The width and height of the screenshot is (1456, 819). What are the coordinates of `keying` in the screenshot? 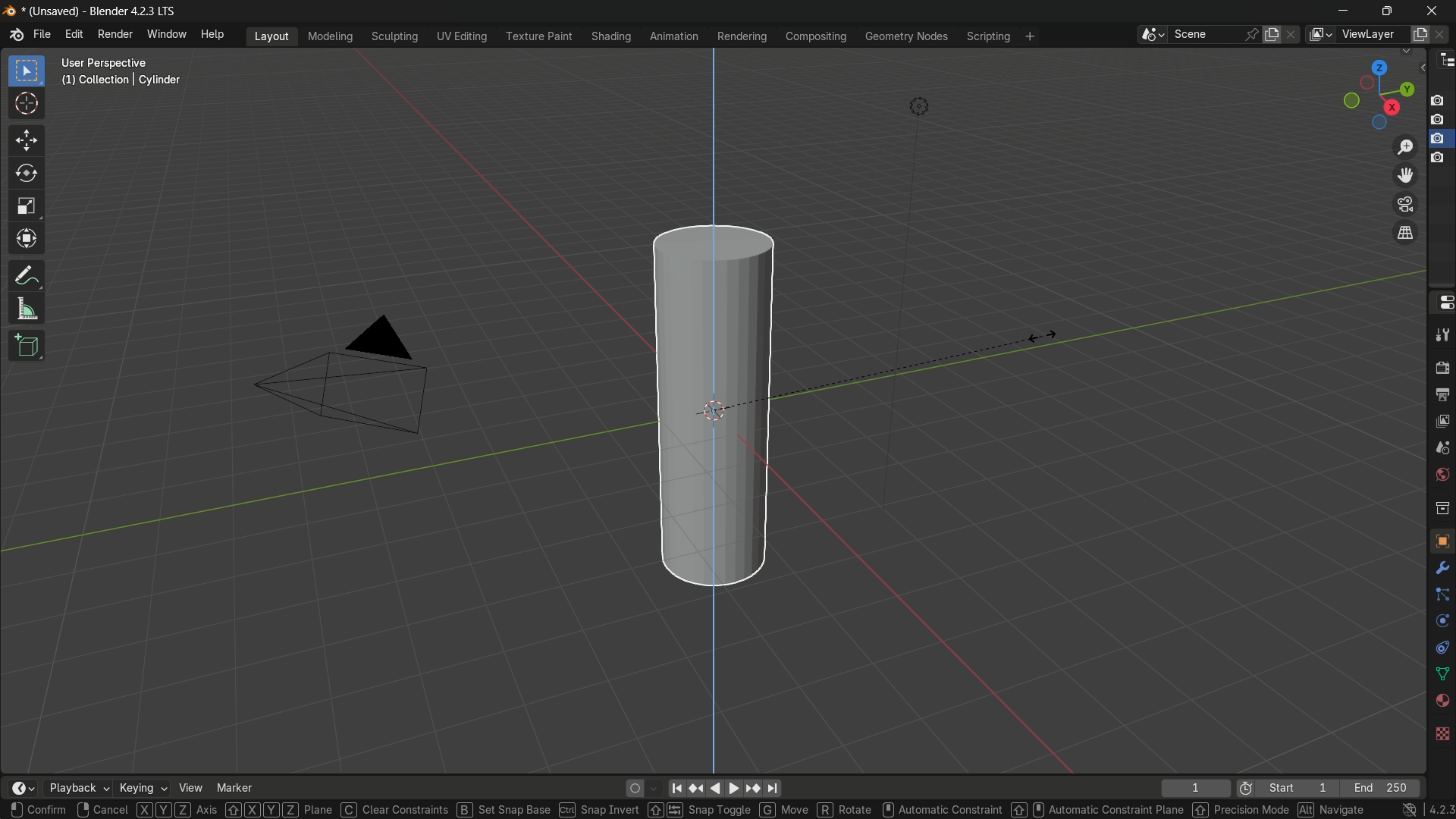 It's located at (143, 788).